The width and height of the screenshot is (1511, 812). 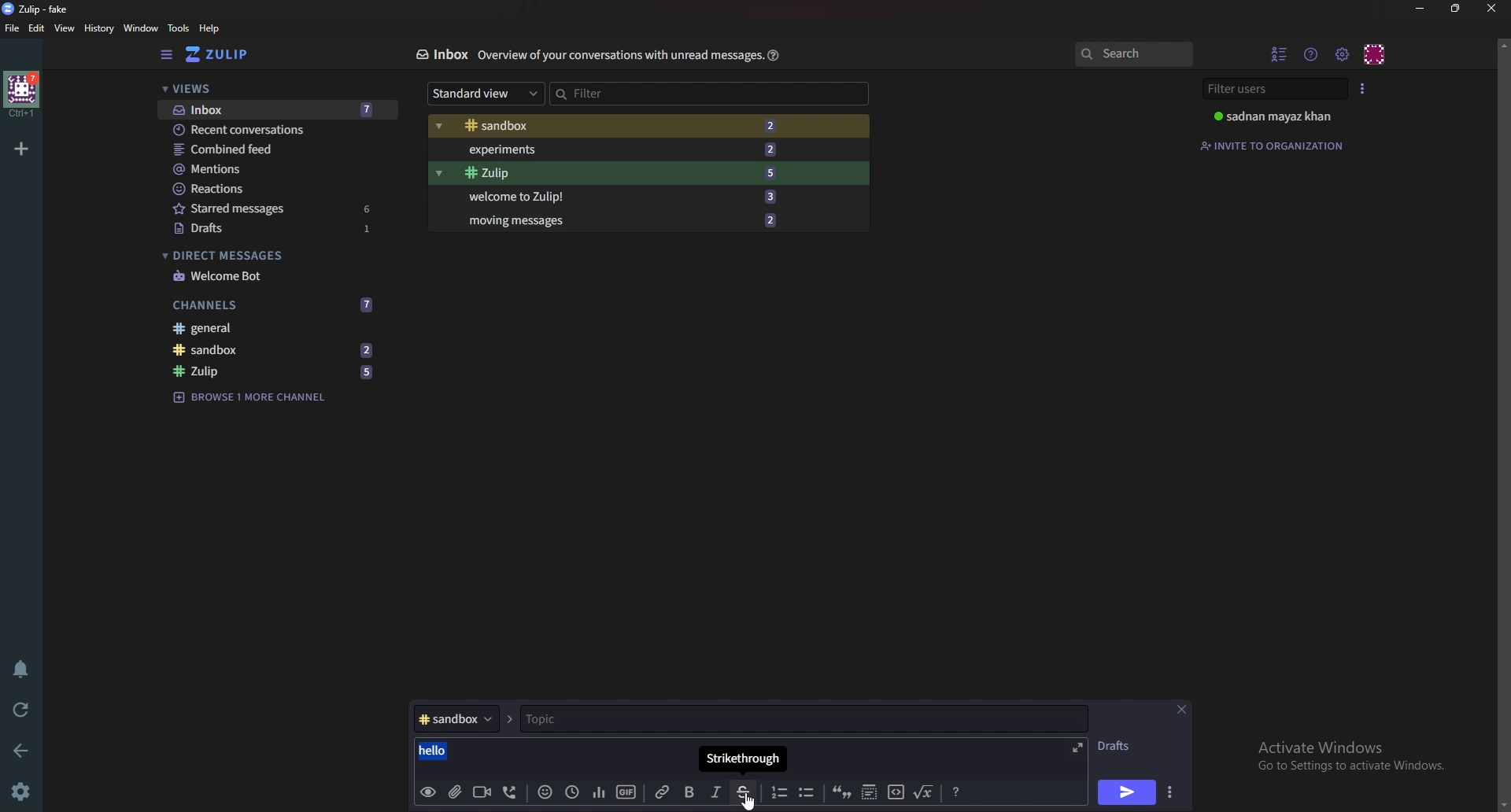 What do you see at coordinates (1280, 53) in the screenshot?
I see `Hide user list` at bounding box center [1280, 53].